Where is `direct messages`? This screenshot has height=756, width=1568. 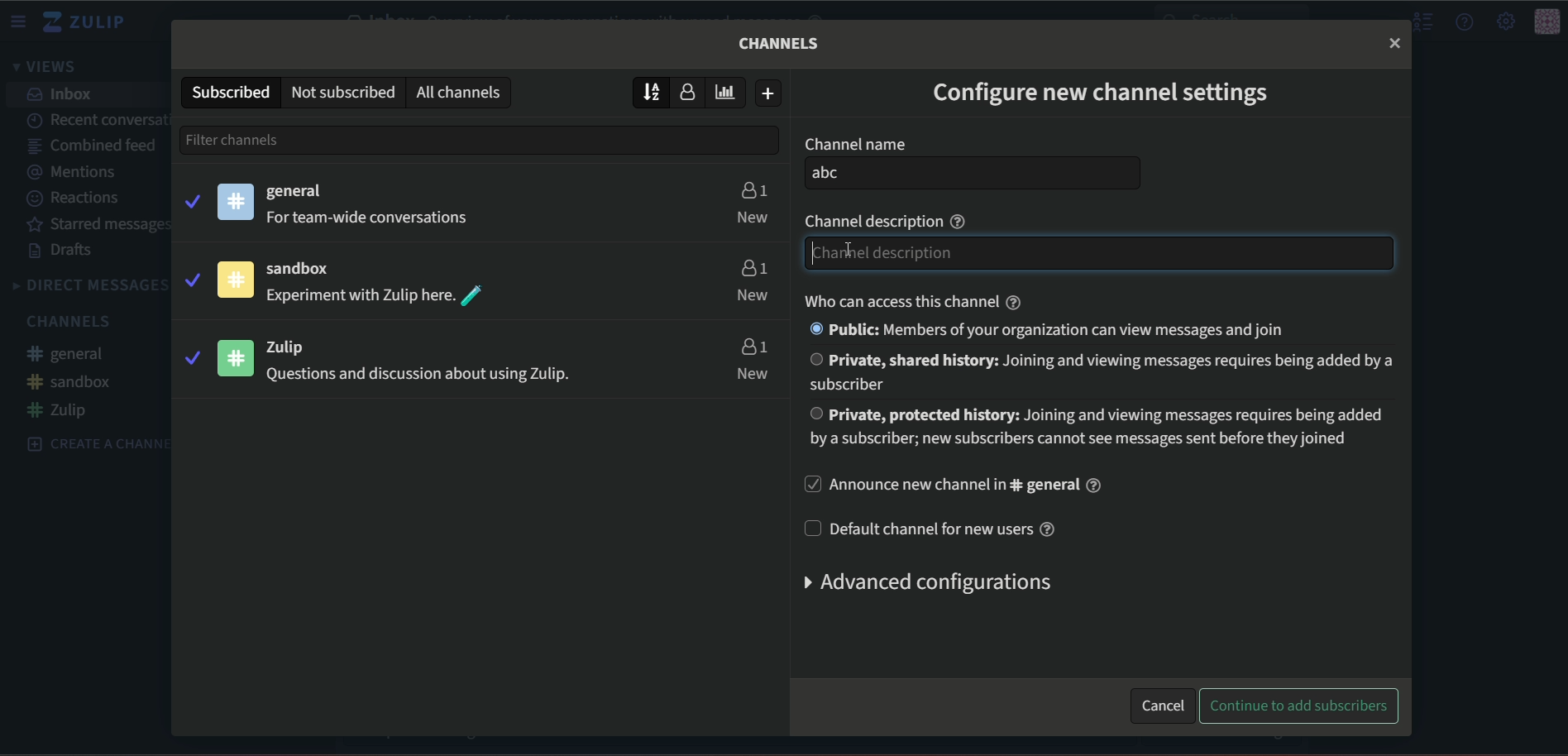 direct messages is located at coordinates (88, 285).